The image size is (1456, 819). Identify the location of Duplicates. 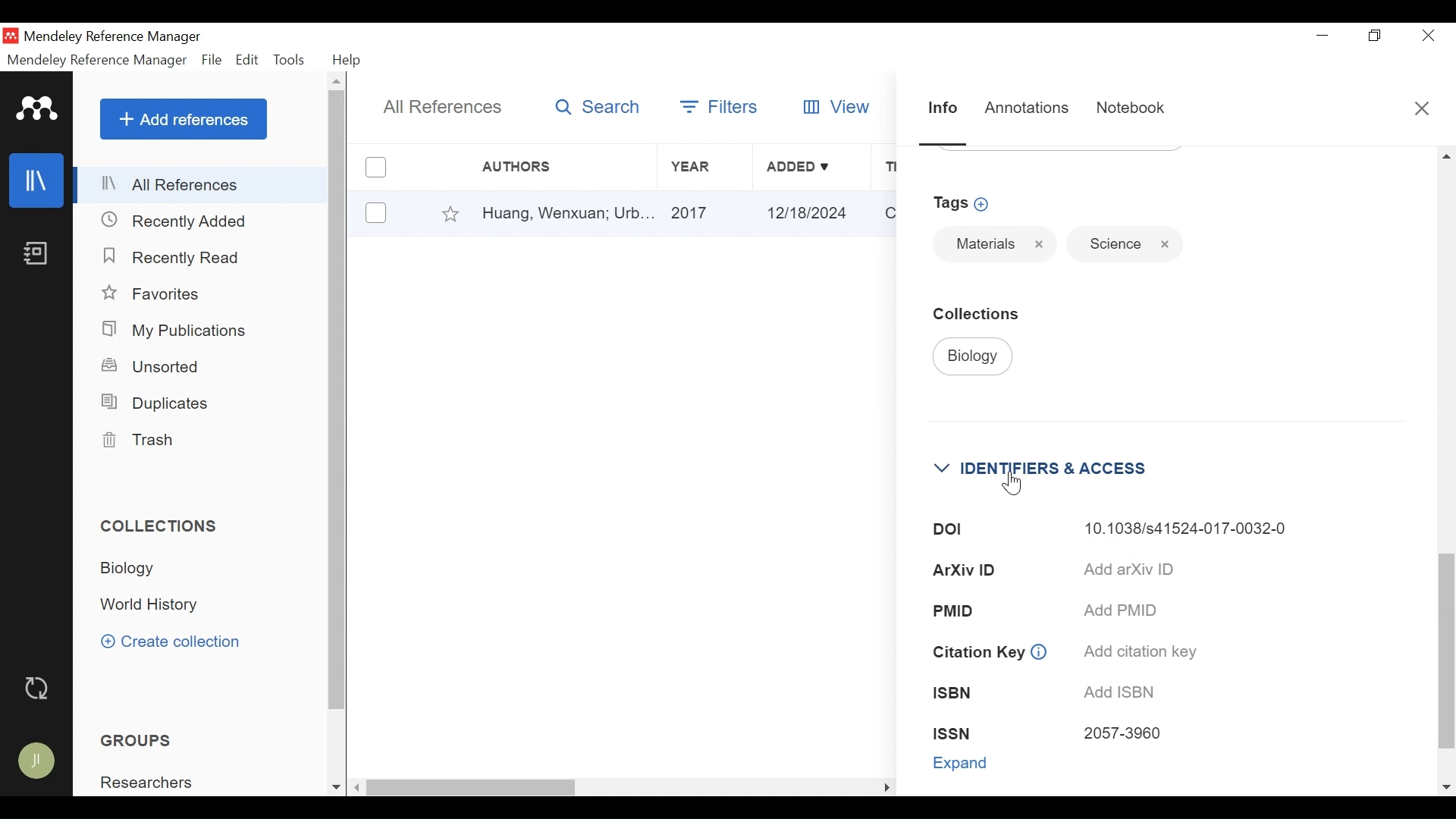
(158, 405).